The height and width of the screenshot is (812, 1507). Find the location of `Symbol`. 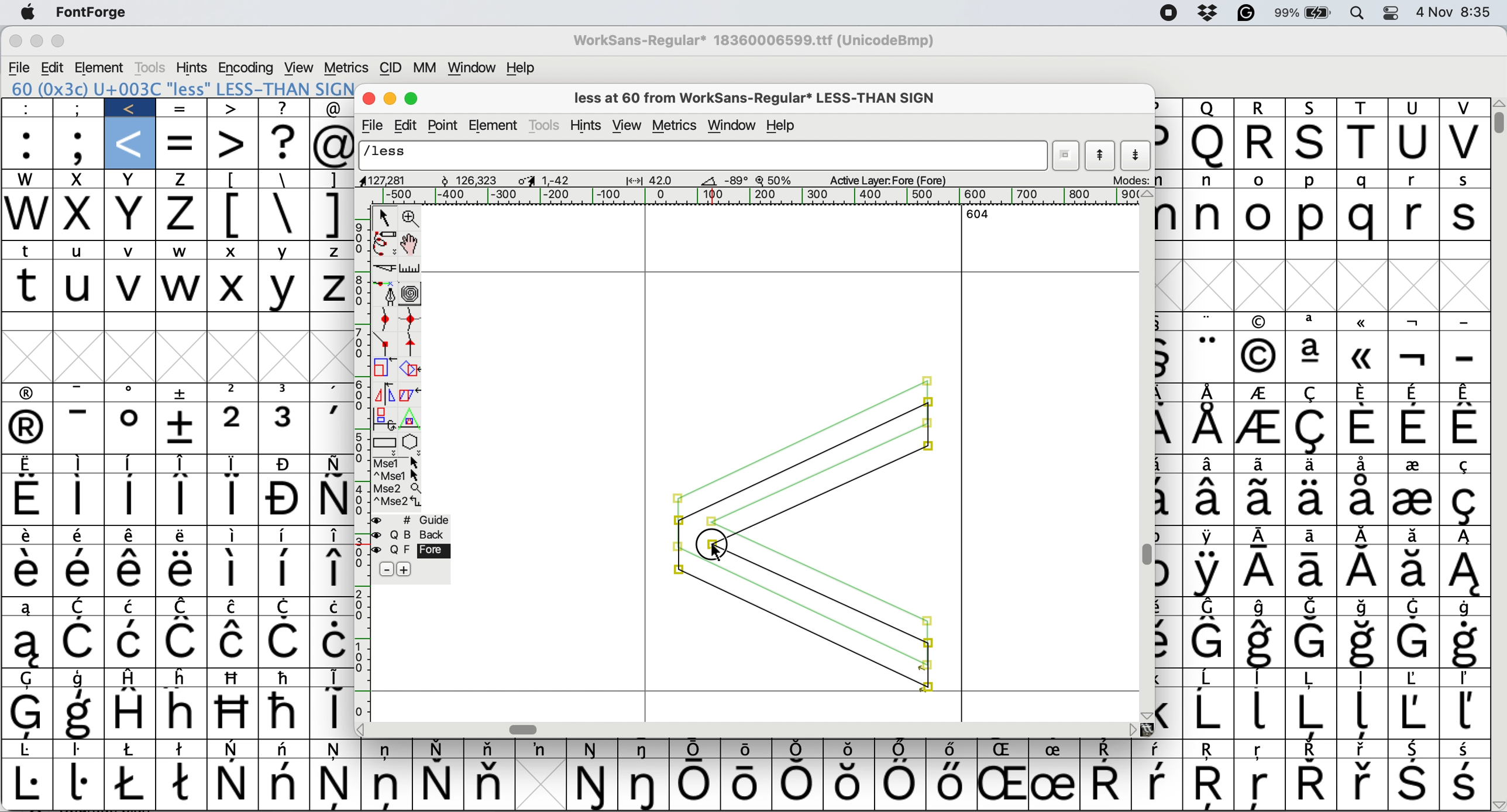

Symbol is located at coordinates (797, 785).